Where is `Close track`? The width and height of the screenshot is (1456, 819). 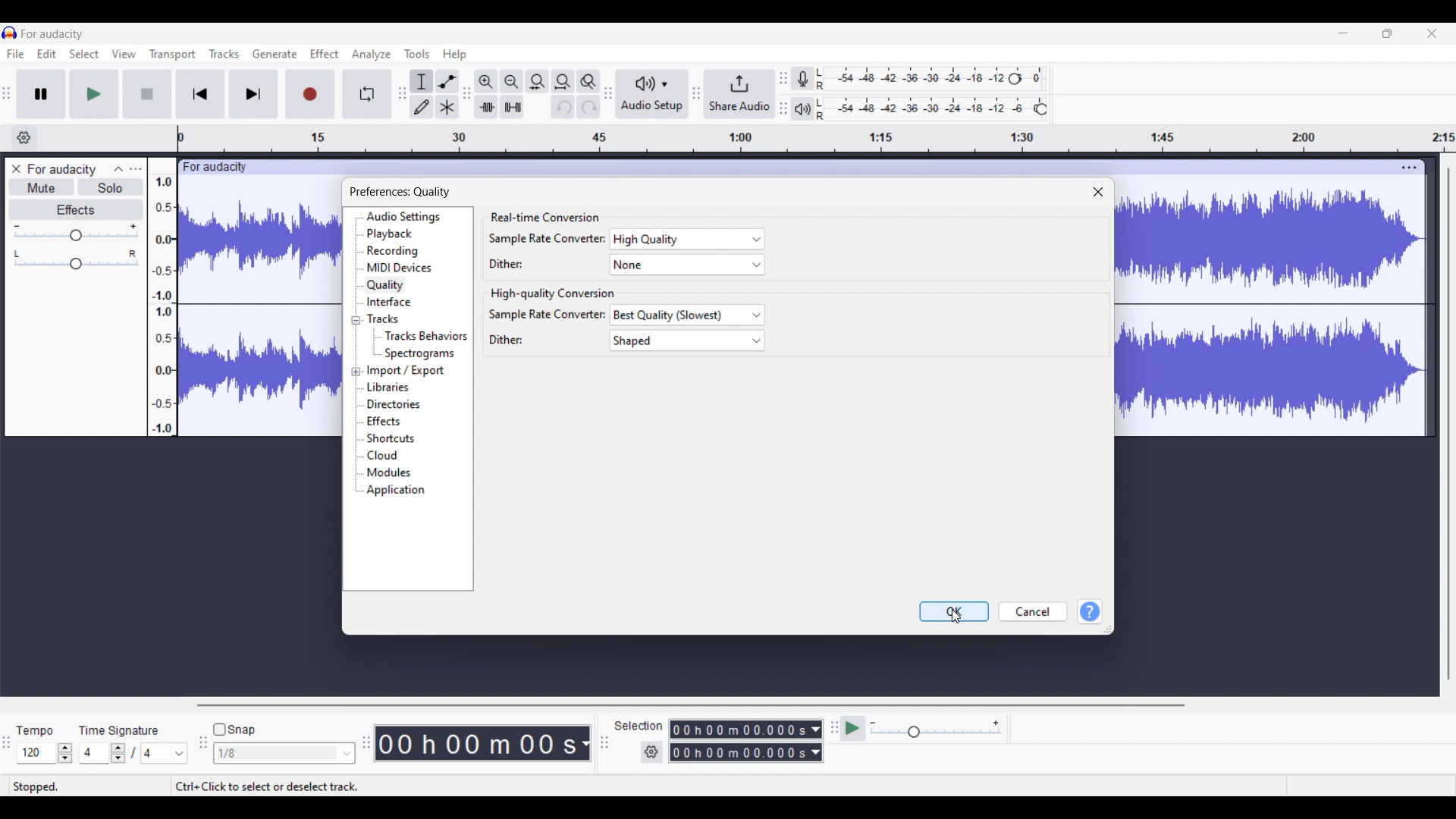 Close track is located at coordinates (16, 169).